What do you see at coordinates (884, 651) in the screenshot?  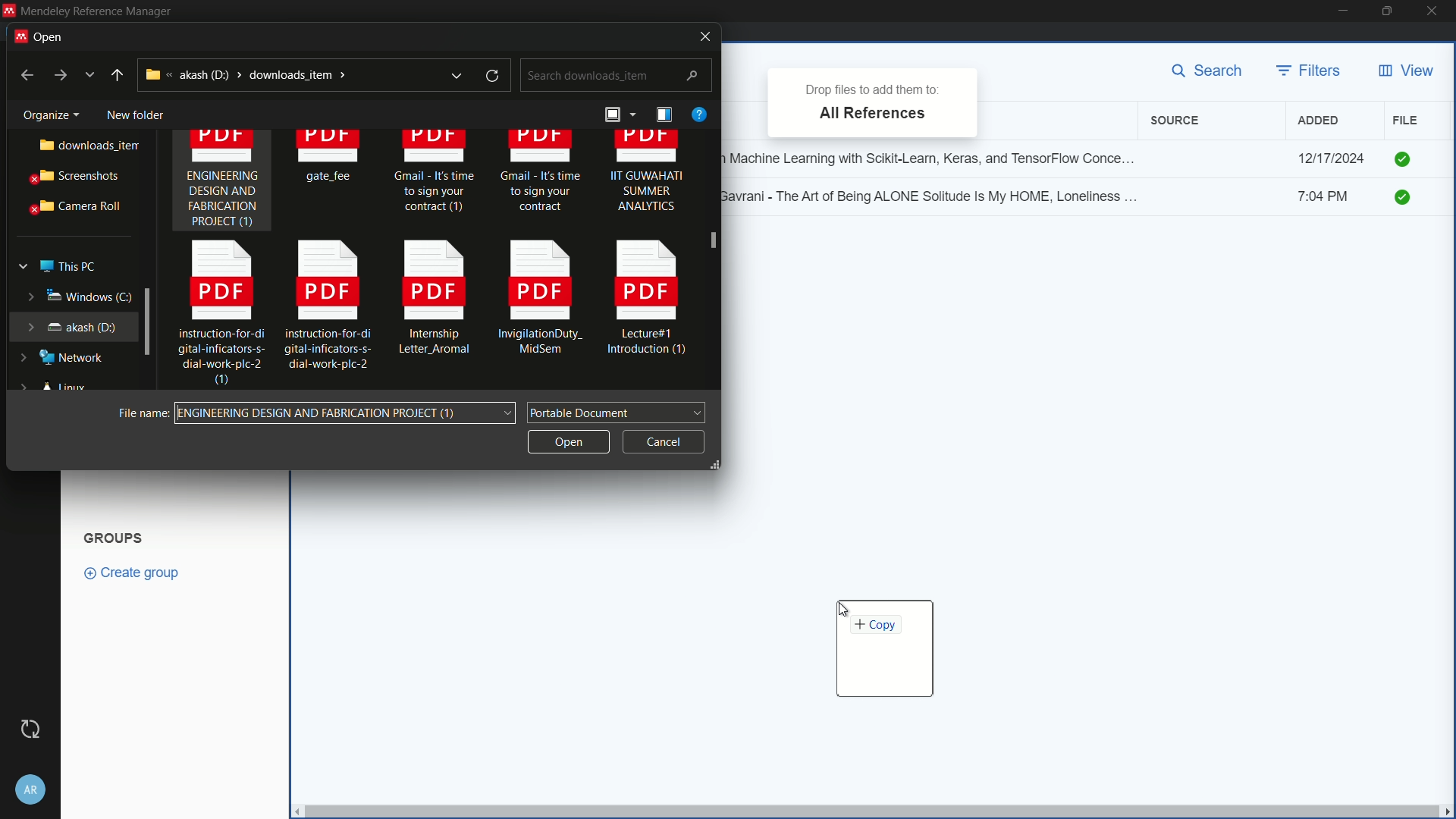 I see `+ Copy` at bounding box center [884, 651].